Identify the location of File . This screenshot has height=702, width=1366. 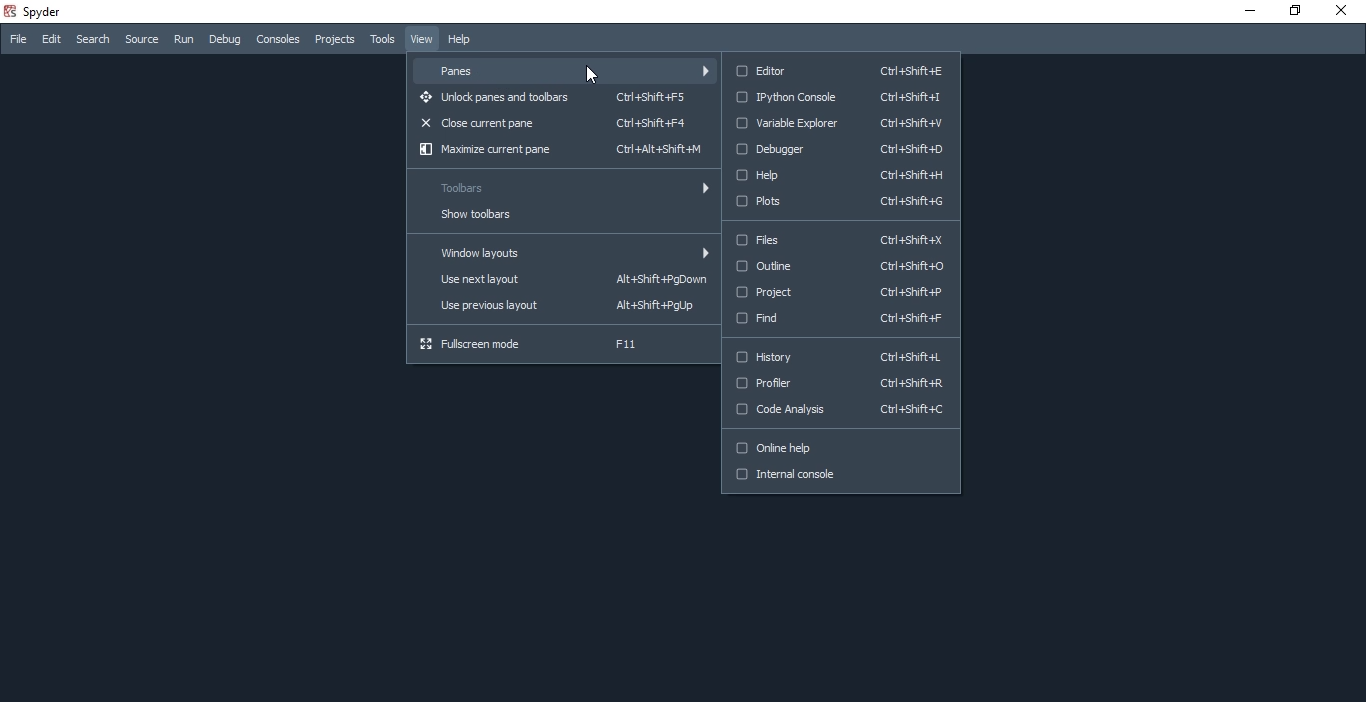
(17, 39).